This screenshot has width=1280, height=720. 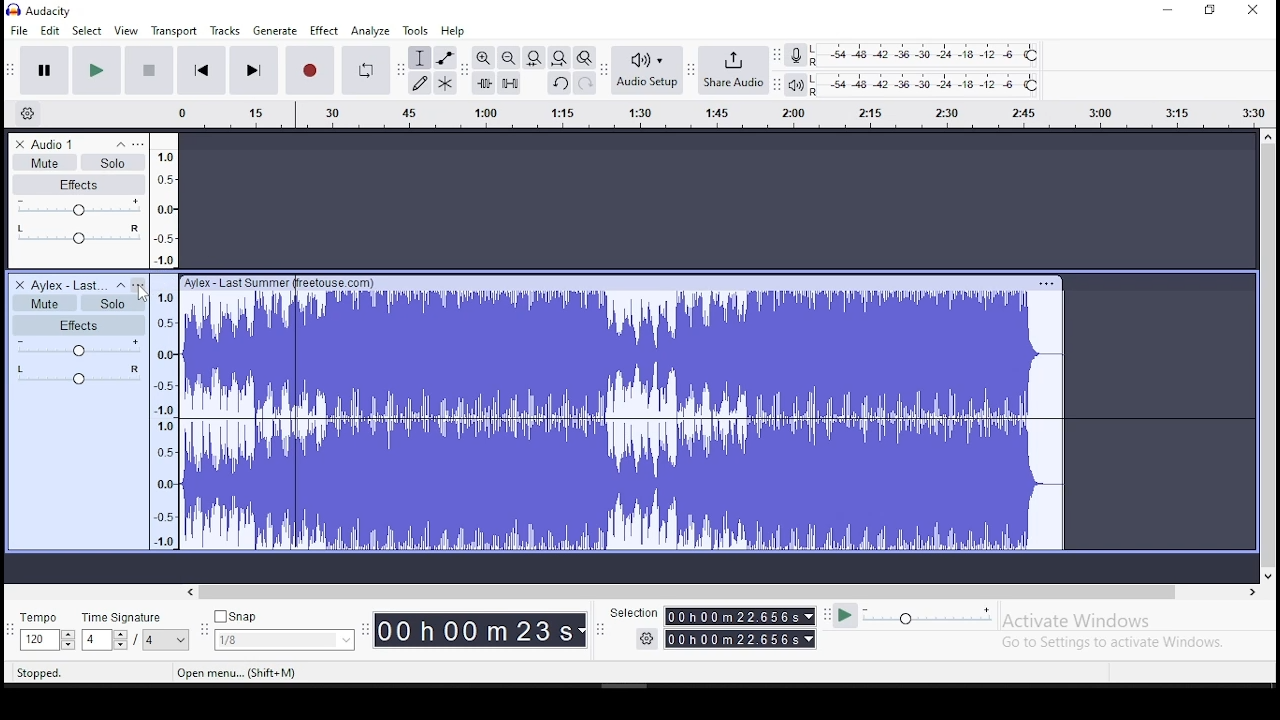 I want to click on play, so click(x=96, y=71).